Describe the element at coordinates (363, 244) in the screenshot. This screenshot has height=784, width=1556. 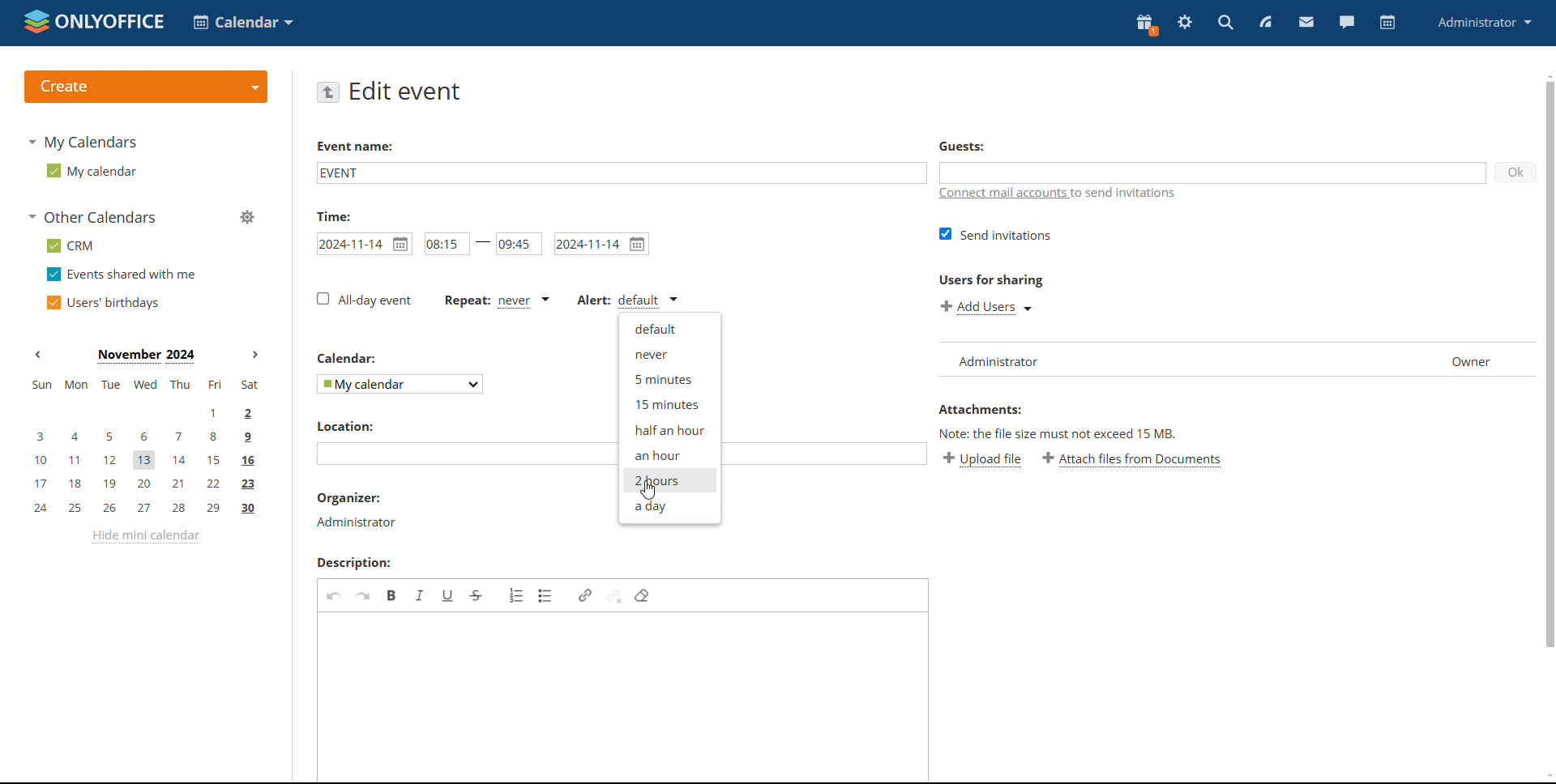
I see `start date` at that location.